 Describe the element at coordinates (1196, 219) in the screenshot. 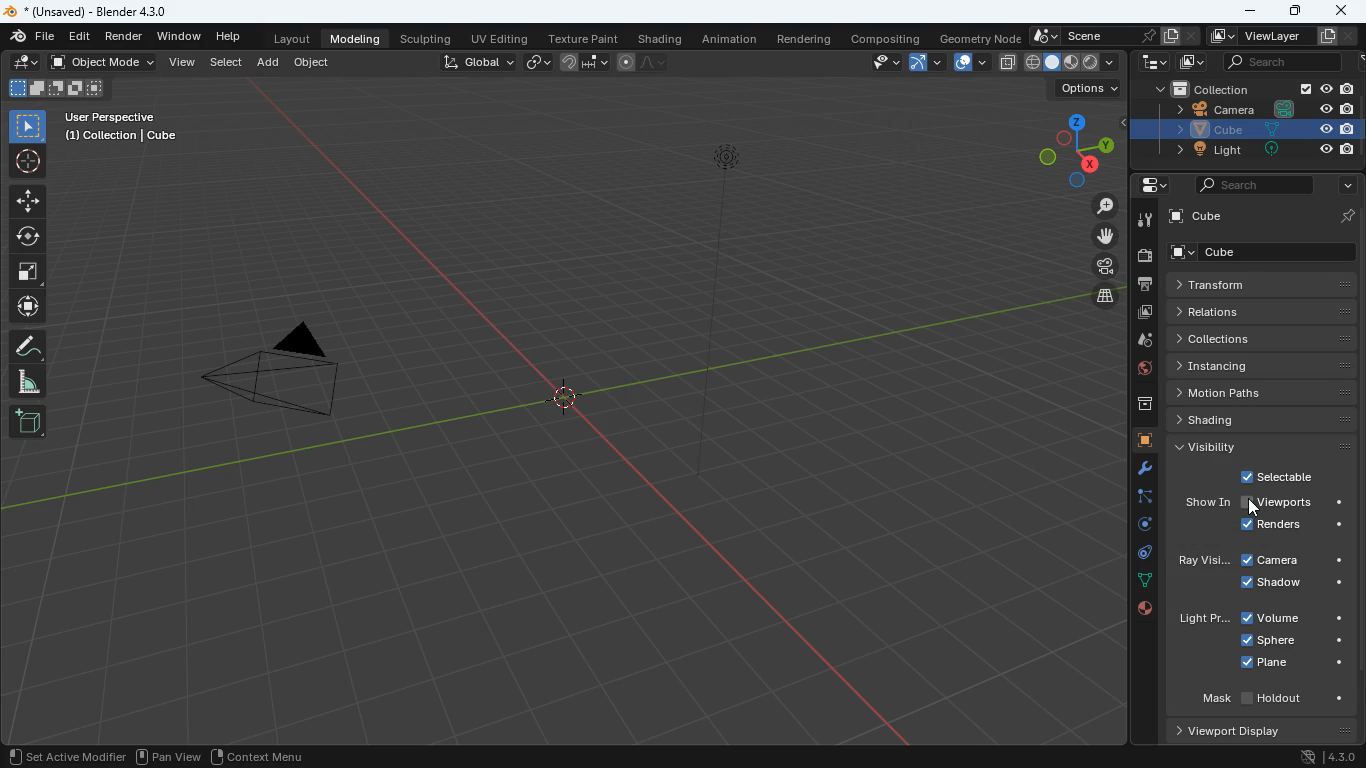

I see `cube` at that location.